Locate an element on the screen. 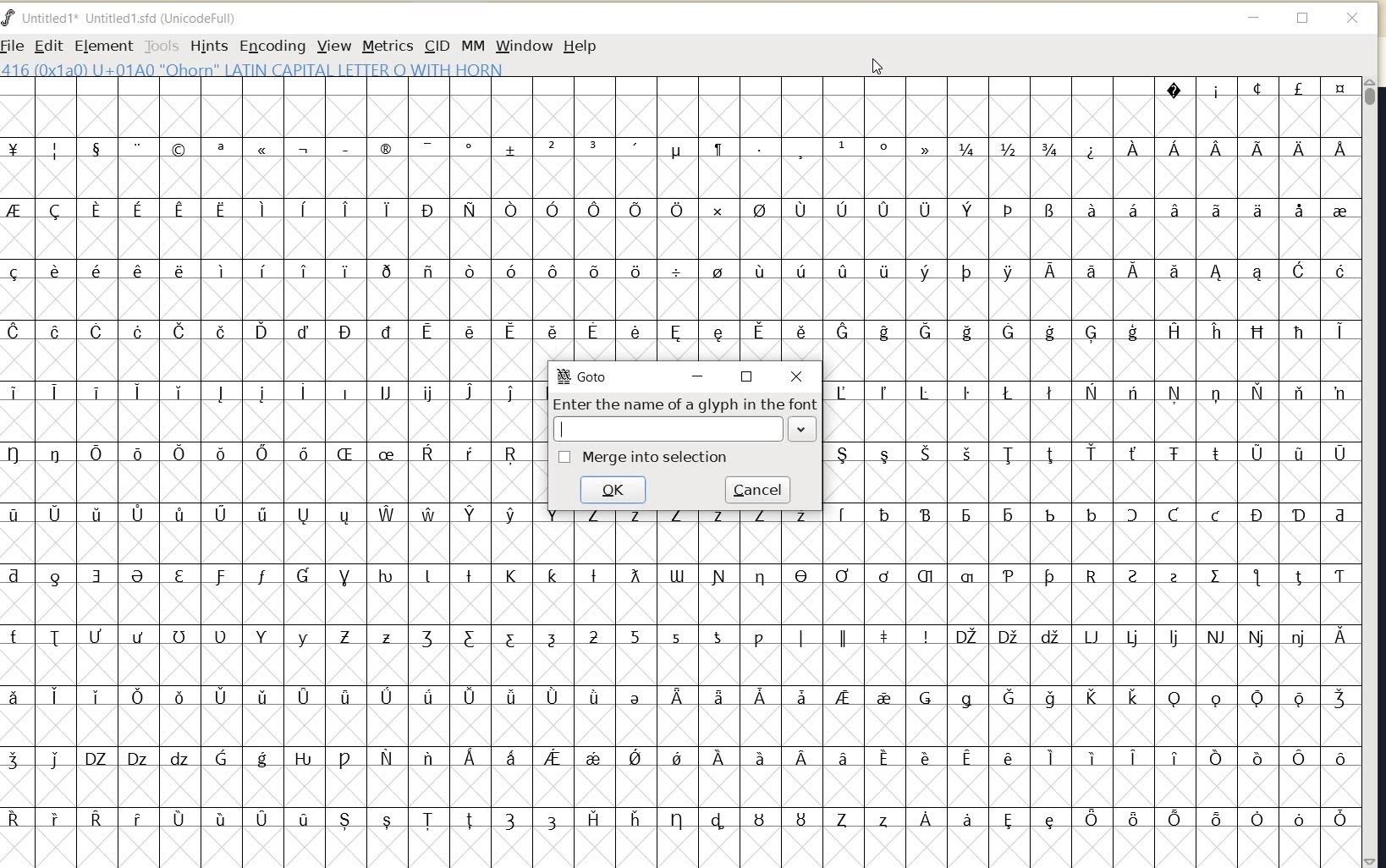  MINIMIZE is located at coordinates (1255, 17).